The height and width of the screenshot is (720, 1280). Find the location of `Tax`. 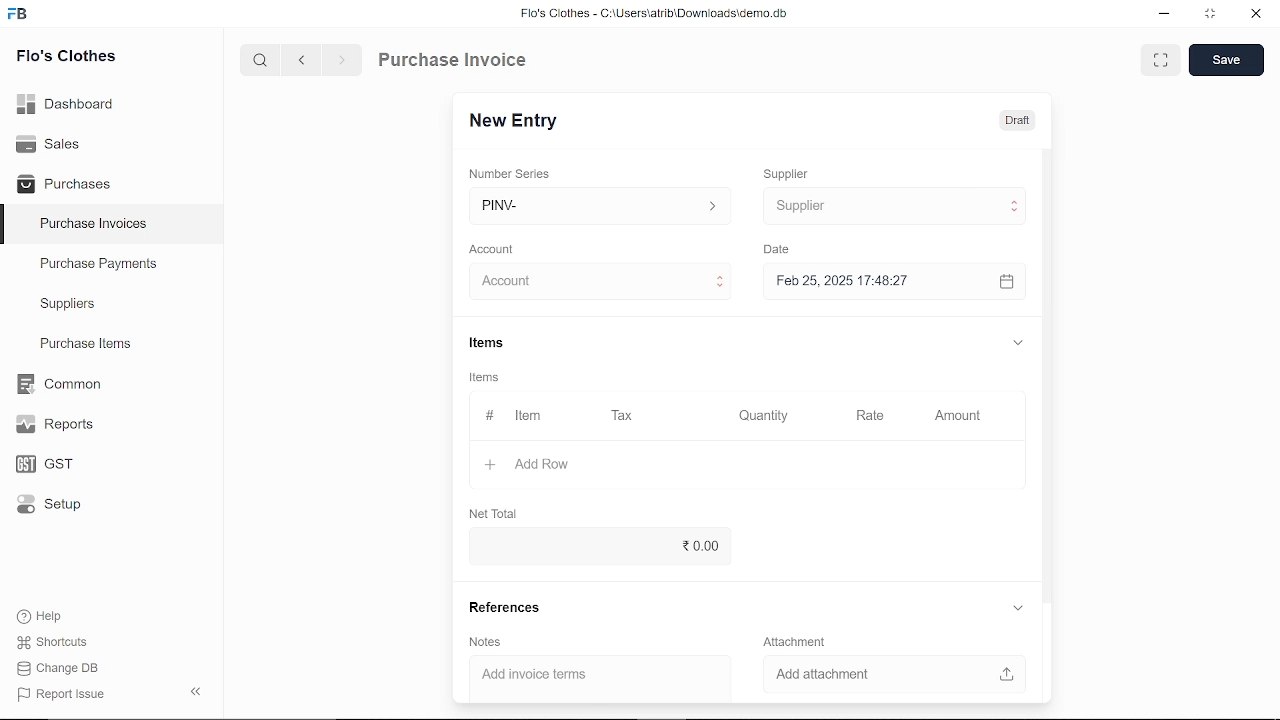

Tax is located at coordinates (626, 416).